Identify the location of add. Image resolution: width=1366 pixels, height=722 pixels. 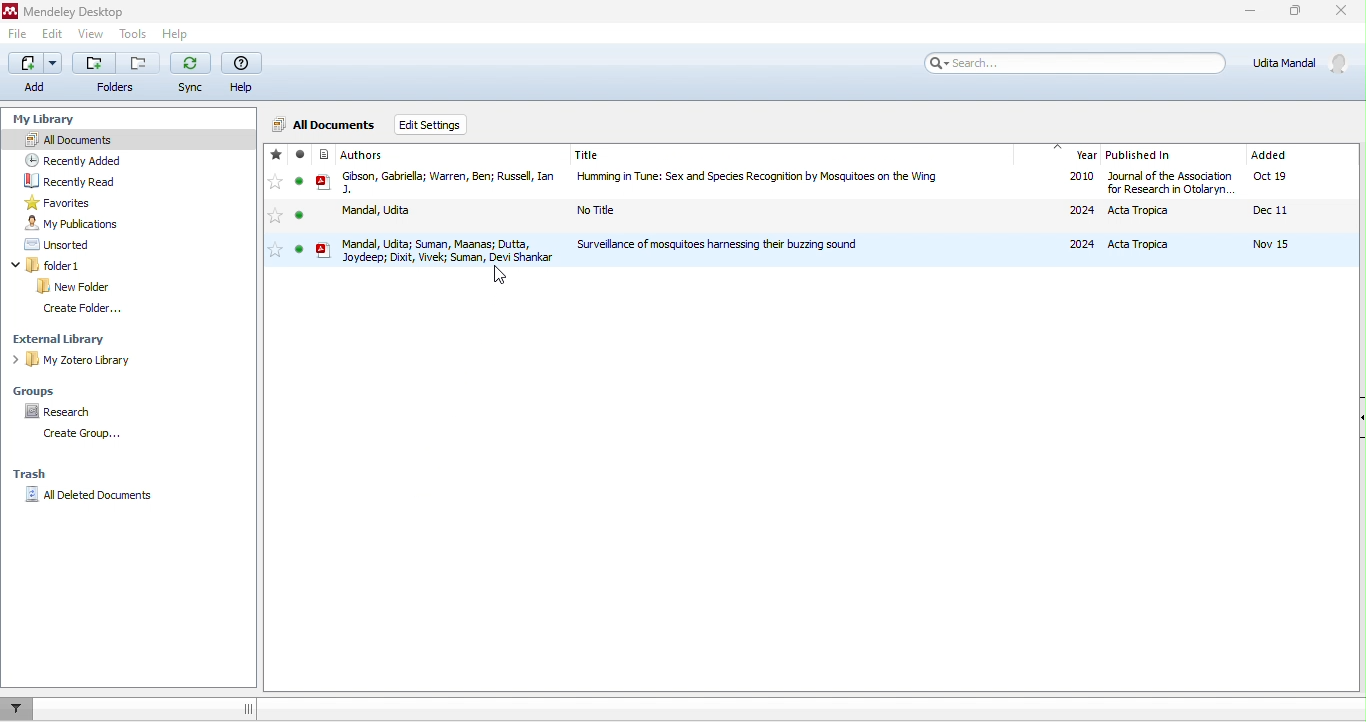
(36, 75).